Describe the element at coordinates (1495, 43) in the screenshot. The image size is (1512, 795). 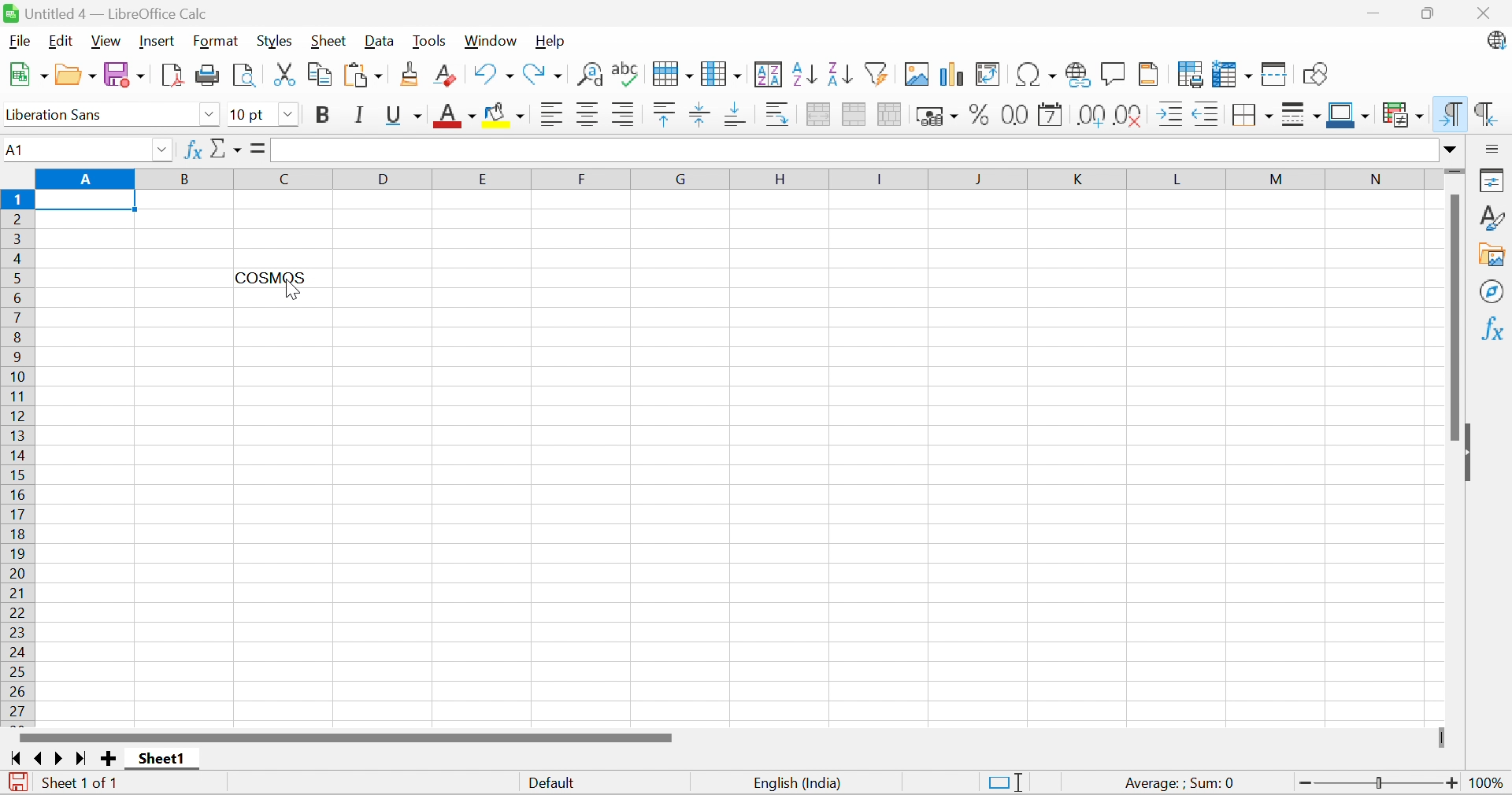
I see `LibreOffice Update Available` at that location.